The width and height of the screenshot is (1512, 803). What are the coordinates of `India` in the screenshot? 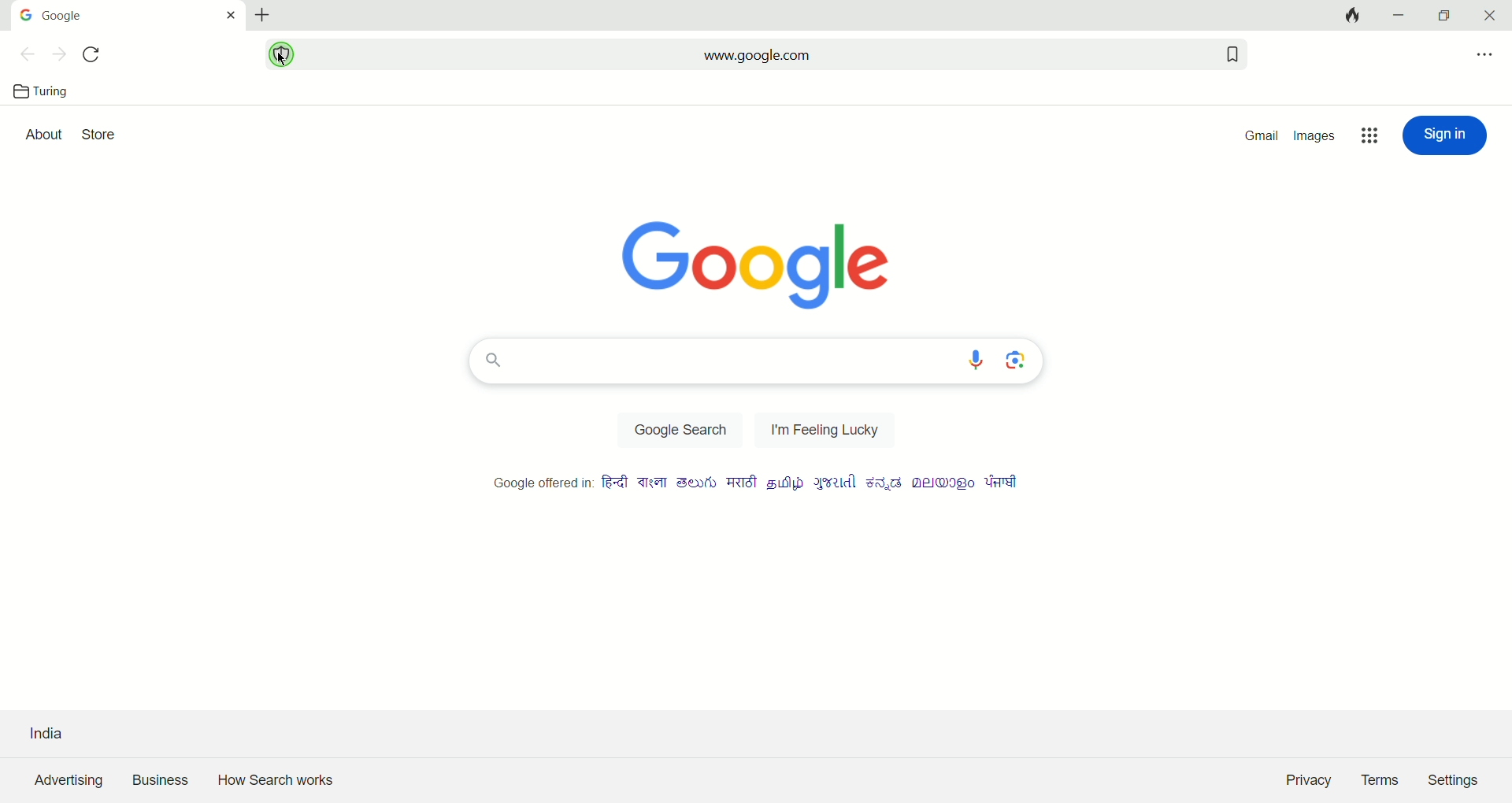 It's located at (47, 723).